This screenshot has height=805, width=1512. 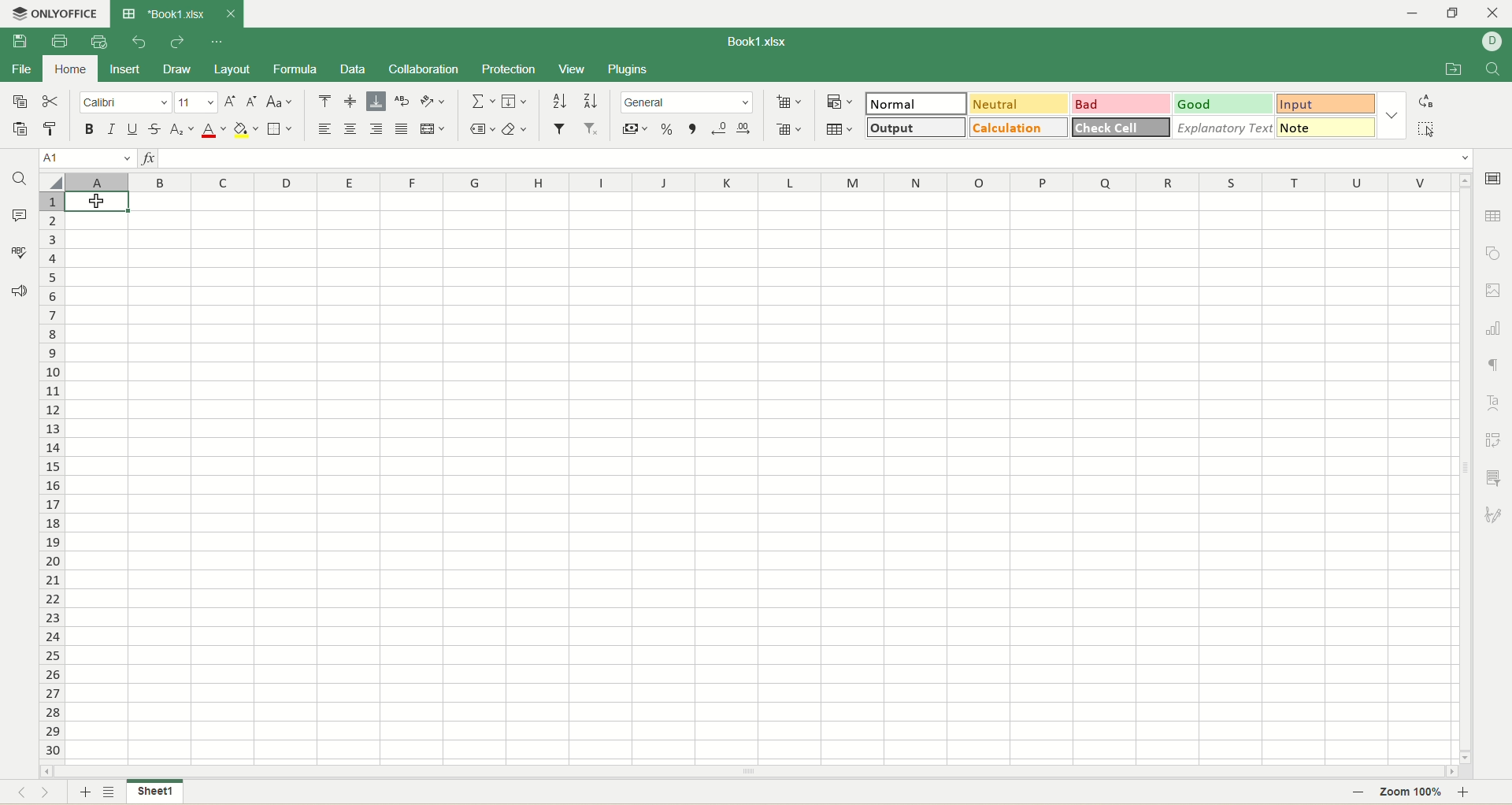 I want to click on undo, so click(x=136, y=43).